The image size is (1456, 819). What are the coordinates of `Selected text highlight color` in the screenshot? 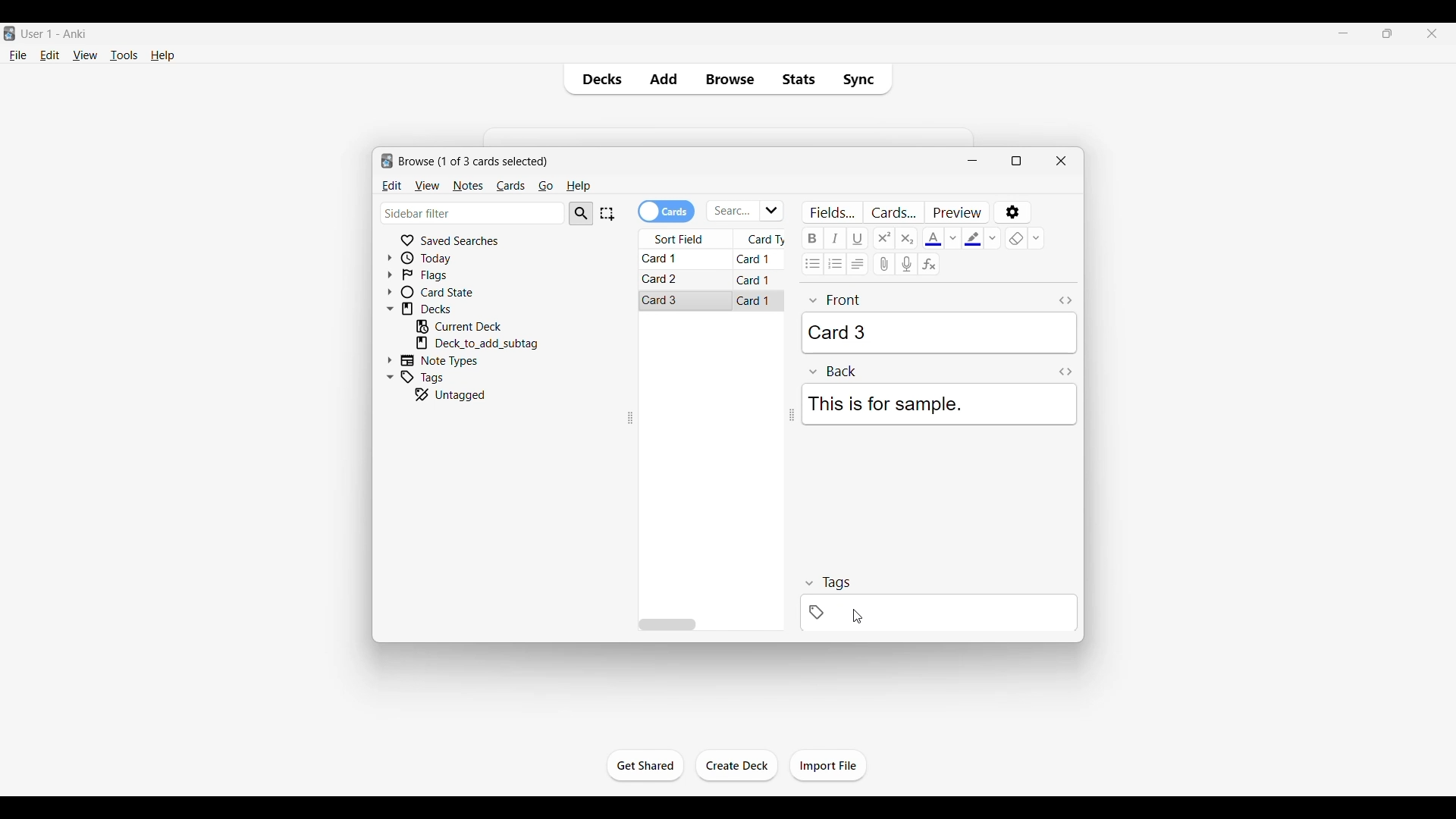 It's located at (973, 238).